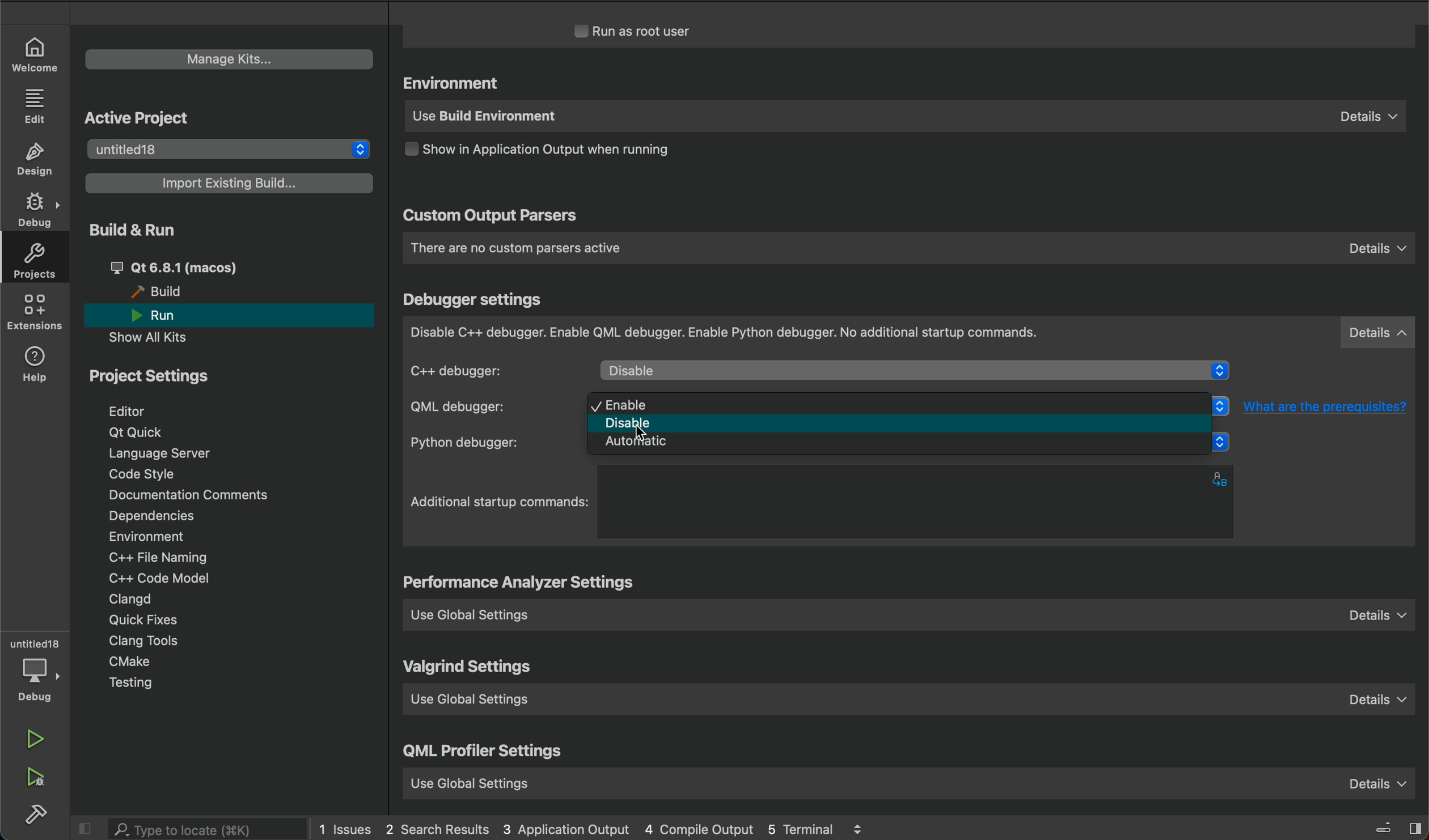  I want to click on untitled, so click(225, 147).